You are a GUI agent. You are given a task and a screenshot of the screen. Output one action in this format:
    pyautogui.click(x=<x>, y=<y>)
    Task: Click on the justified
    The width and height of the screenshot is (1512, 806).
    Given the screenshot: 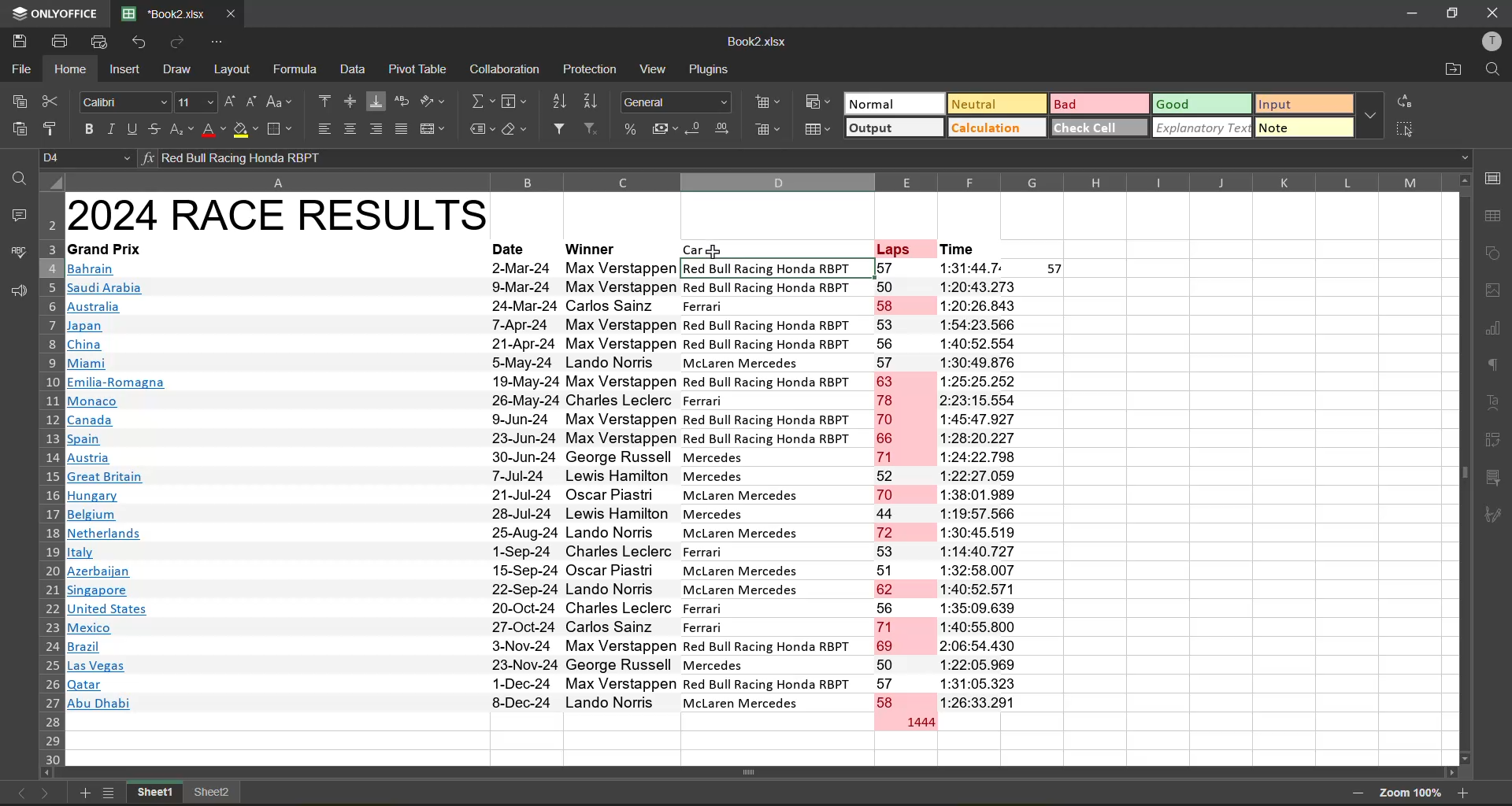 What is the action you would take?
    pyautogui.click(x=401, y=130)
    